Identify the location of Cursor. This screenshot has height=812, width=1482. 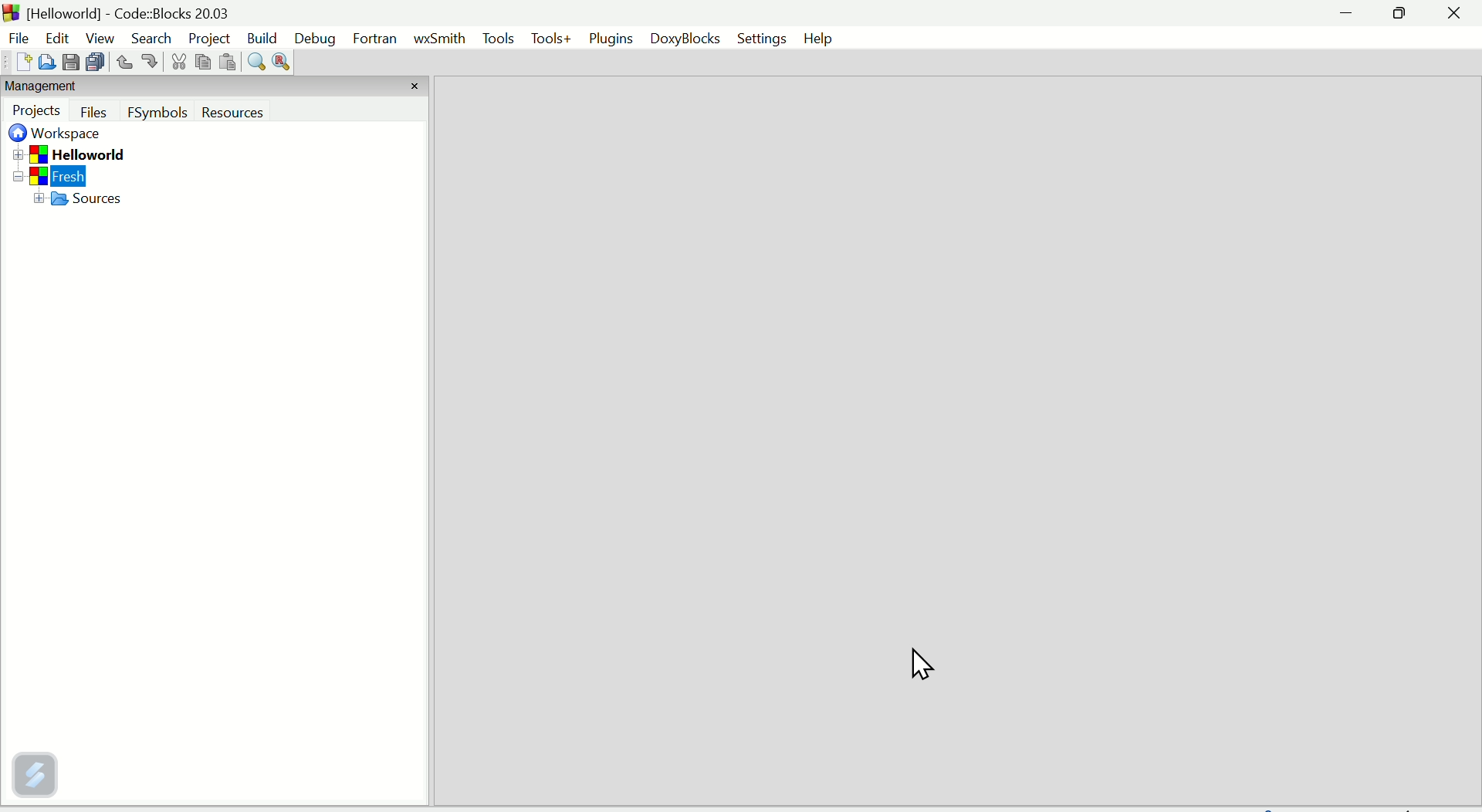
(920, 663).